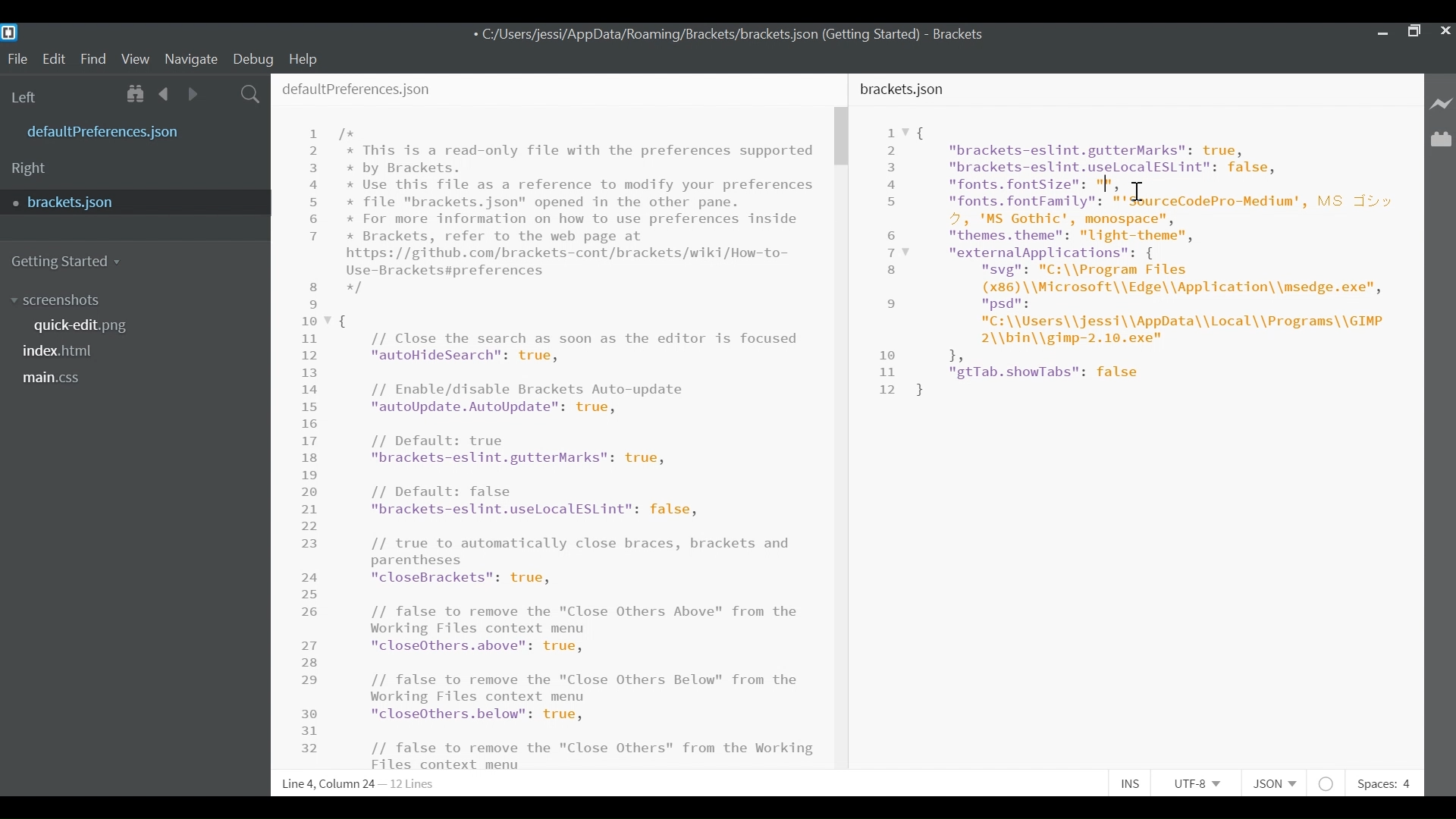 The height and width of the screenshot is (819, 1456). What do you see at coordinates (560, 446) in the screenshot?
I see `1 /*

2 x This is a read-only file with the preferences supported

3 by Brackets.

4 x Use this file as a reference to modify your preferences

5  * file "brackets.json" opened in the other pane.

6 x For more information on how to use preferences inside

7  * Brackets, refer to the web page at

https: //github.com/brackets-cont/brackets/wiki/How-to-
Use-Brackets#preferences

8 */

9

107 {

1 // Close the search as soon as the editor is focused

12 "autoHideSearch": true,

13

14 // Enable/disable Brackets Auto-update

15 "autoUpdate.AutoUpdate": true,

16

17 // Default: true

18 "brackets-eslint.gutterMarks": true,

18

20 // Default: false

21 "brackets-eslint.uselocalESLint": false,

22

23 // true to automatically close braces, brackets and
parentheses

24 "closeBrackets": true,

25

26 // false to remove the "Close Others Above" from the
Working Files context menu

27 "closeOthers.above": true,

28

29 // false to remove the "Close Others Below" from the
Working Files context menu

Et) "closeOthers.below": true,

31

32 // false to remove the "Close Others" from the Working
Files context menu` at bounding box center [560, 446].